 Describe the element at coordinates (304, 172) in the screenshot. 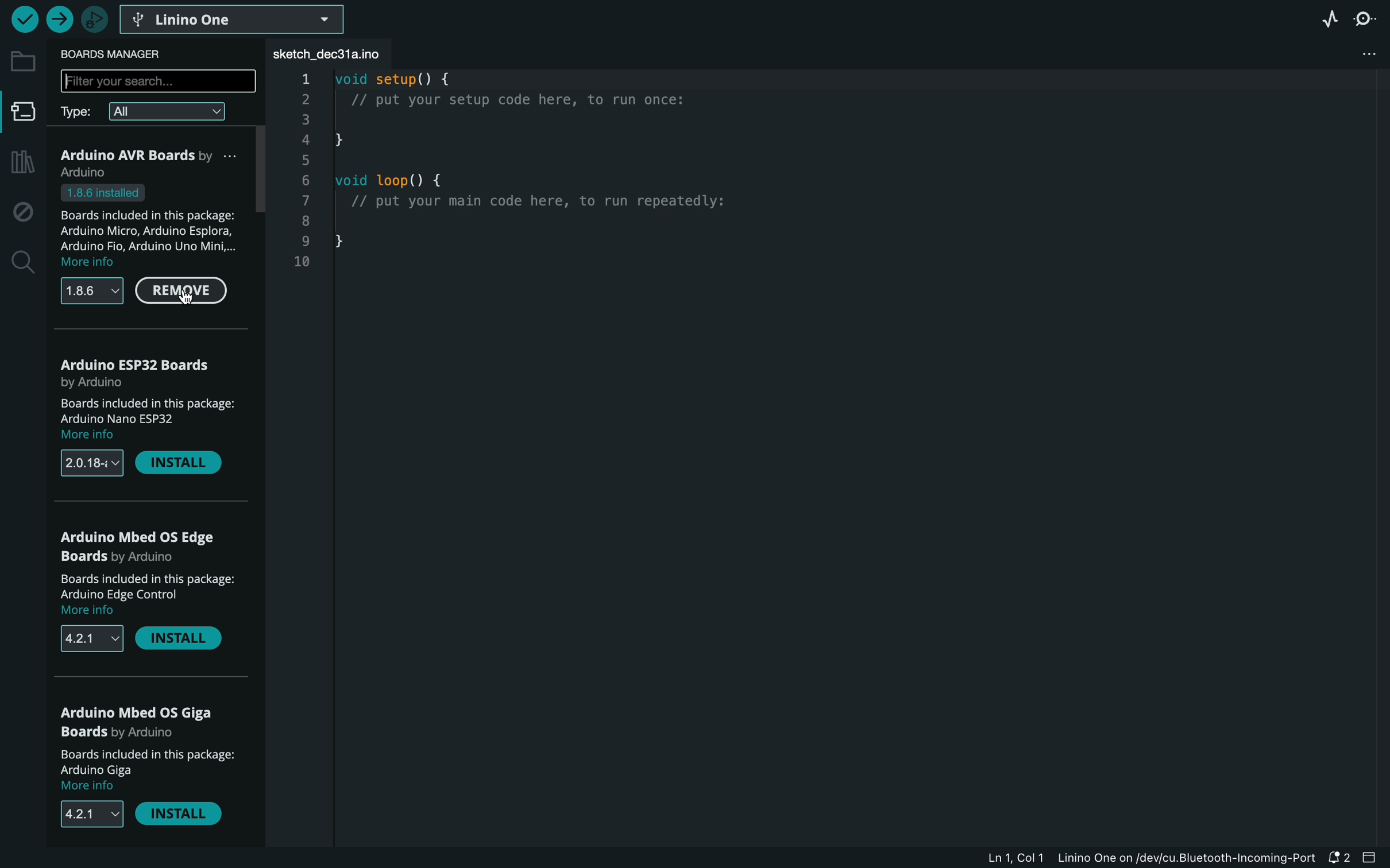

I see `line number` at that location.